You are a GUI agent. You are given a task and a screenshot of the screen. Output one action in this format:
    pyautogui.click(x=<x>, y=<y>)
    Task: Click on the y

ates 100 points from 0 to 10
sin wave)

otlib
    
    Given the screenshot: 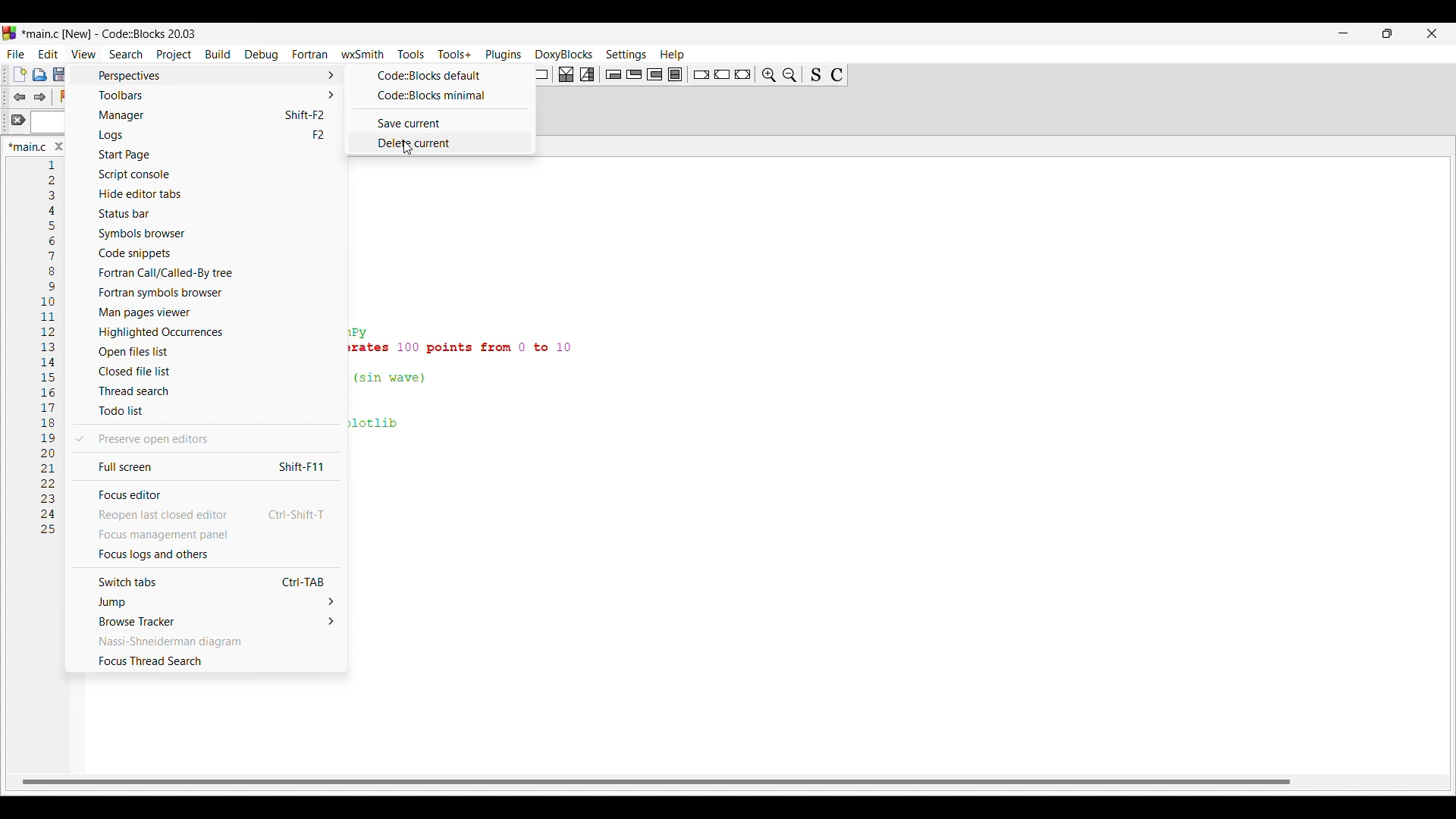 What is the action you would take?
    pyautogui.click(x=478, y=383)
    